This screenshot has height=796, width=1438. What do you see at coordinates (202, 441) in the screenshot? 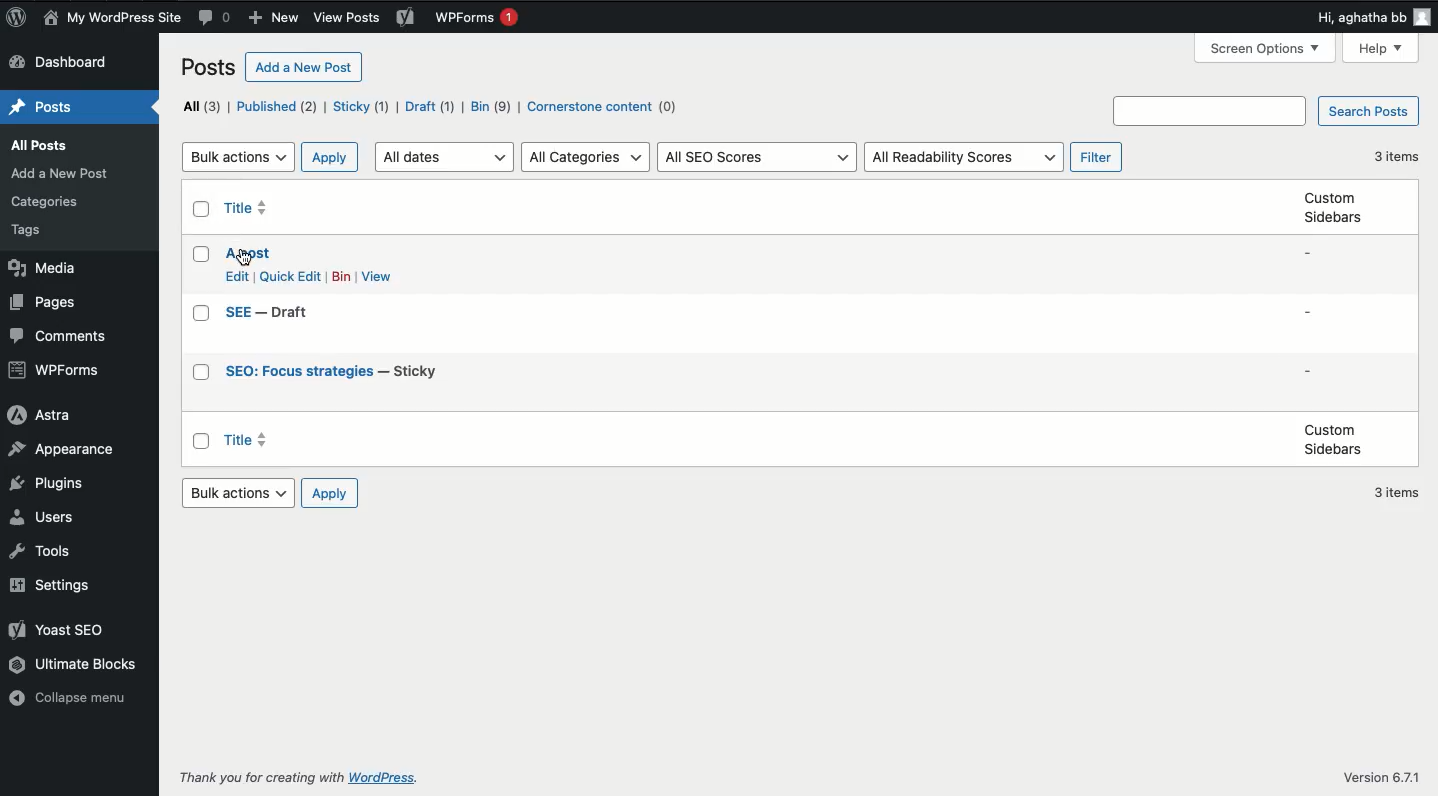
I see `Checkbox` at bounding box center [202, 441].